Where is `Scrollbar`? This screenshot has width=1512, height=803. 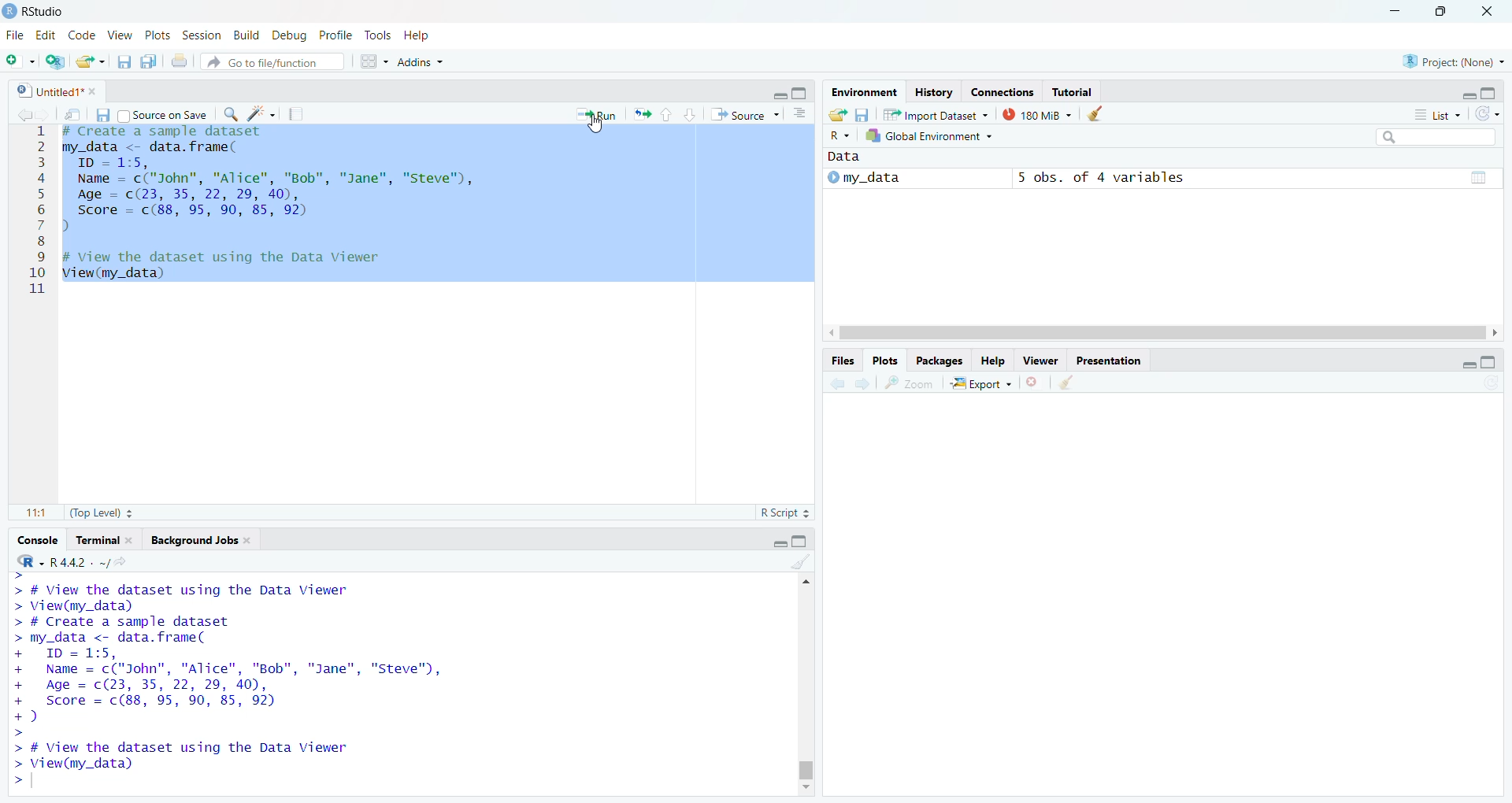
Scrollbar is located at coordinates (805, 690).